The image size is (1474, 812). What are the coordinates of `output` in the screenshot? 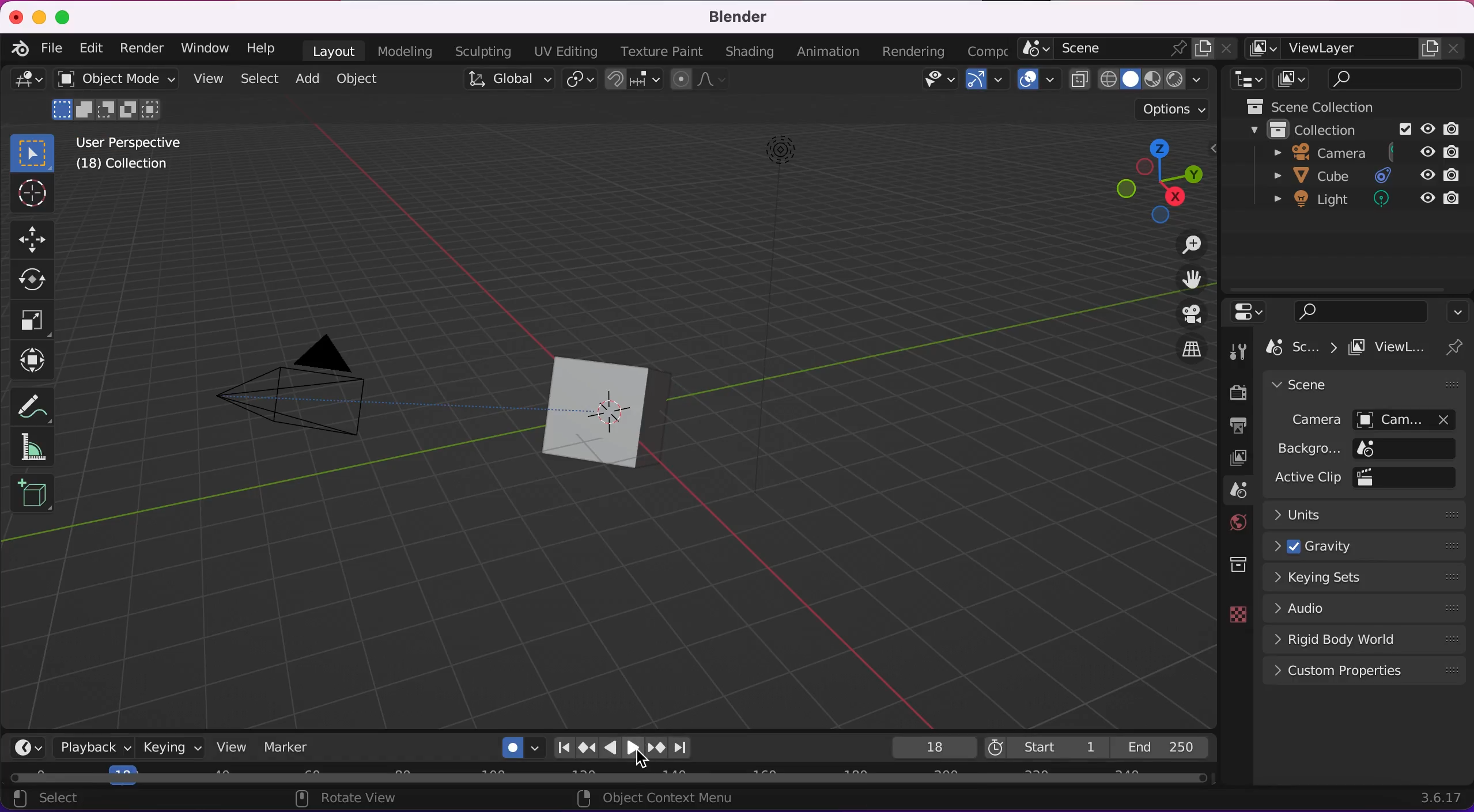 It's located at (1235, 424).